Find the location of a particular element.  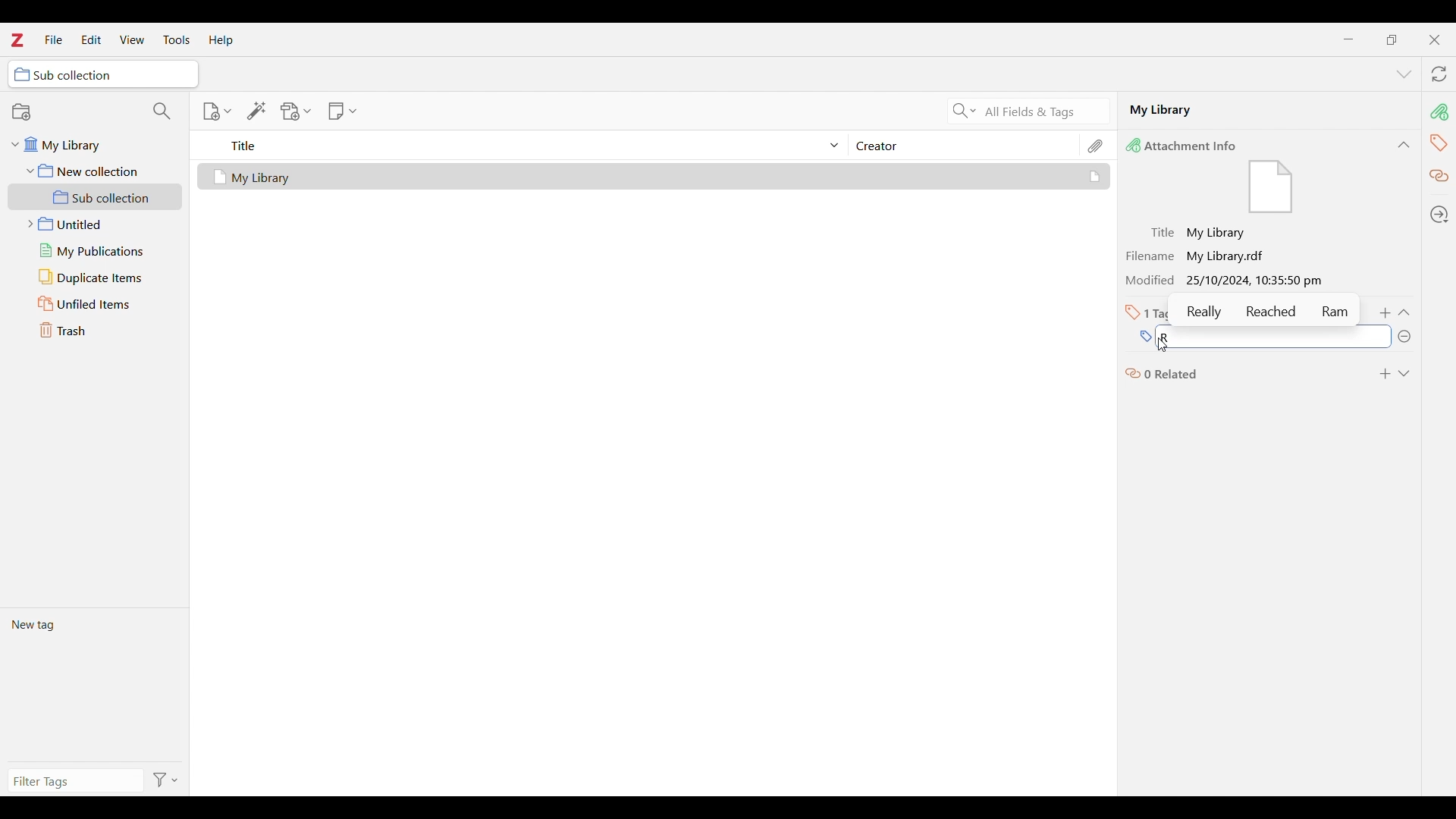

Collapse is located at coordinates (1404, 145).